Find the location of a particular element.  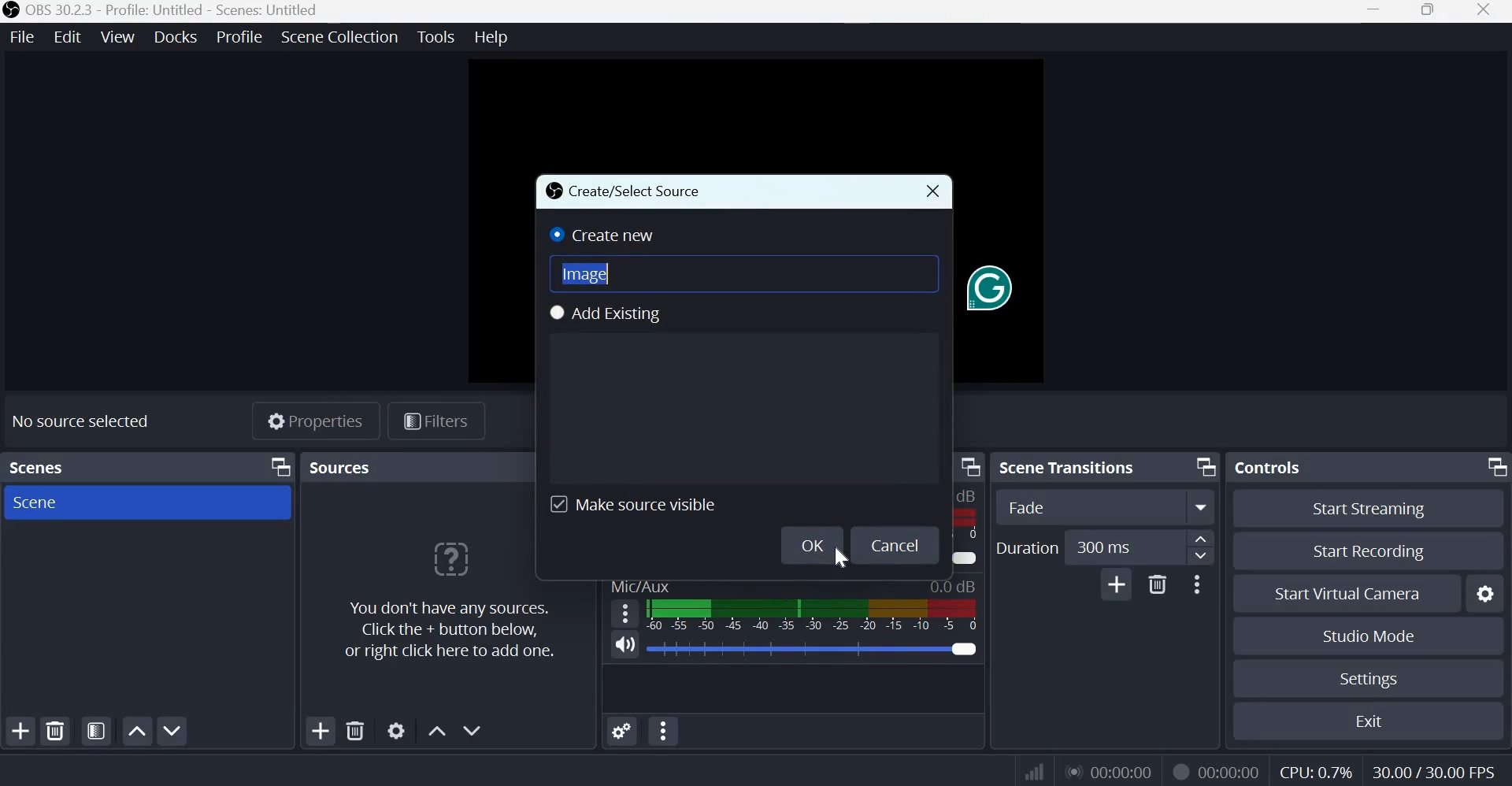

edit is located at coordinates (68, 35).